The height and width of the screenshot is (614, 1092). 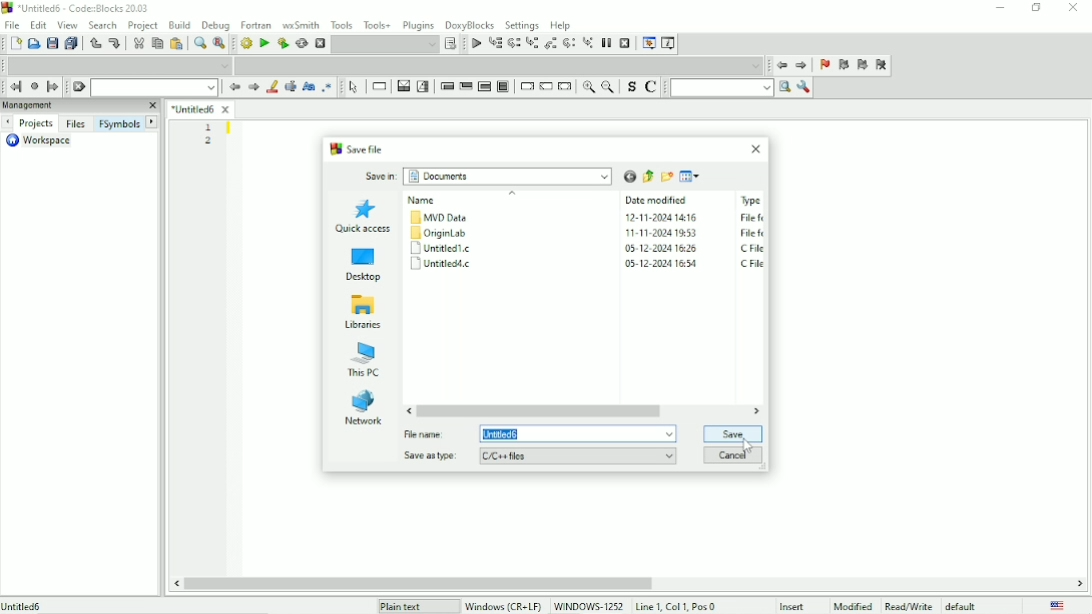 What do you see at coordinates (562, 24) in the screenshot?
I see `Help` at bounding box center [562, 24].